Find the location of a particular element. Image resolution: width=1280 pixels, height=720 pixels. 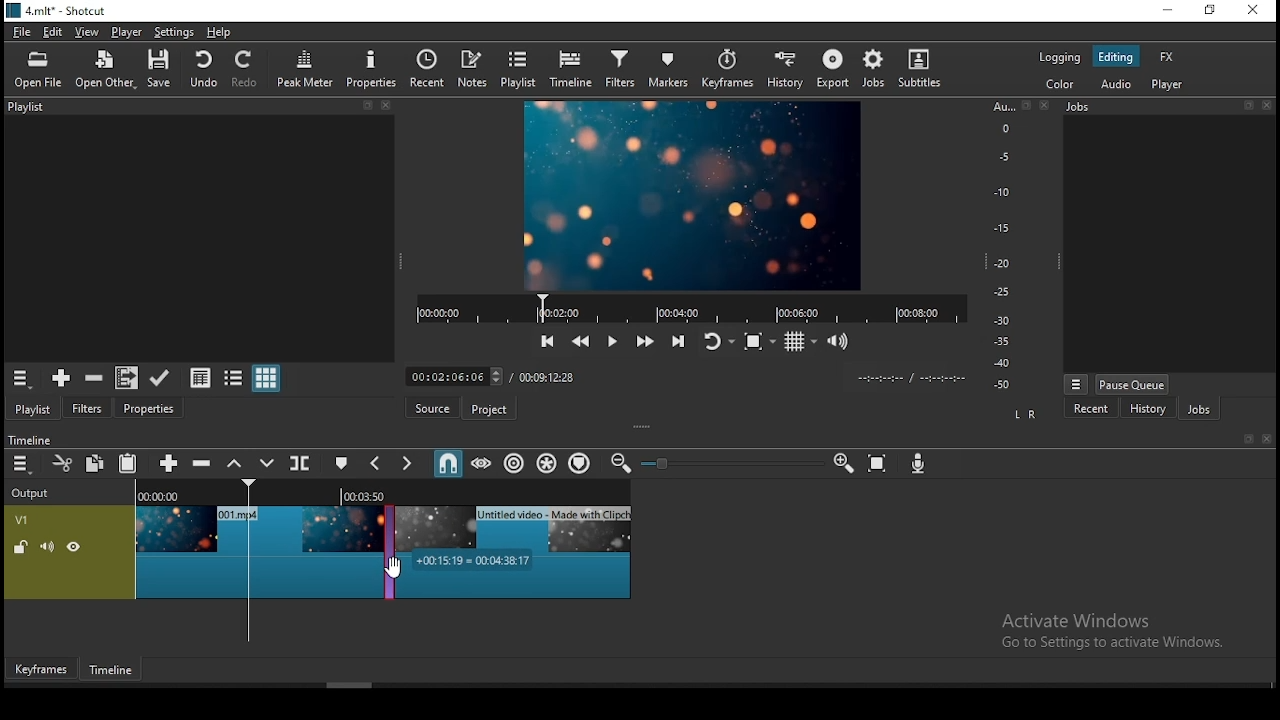

video clip is located at coordinates (256, 550).